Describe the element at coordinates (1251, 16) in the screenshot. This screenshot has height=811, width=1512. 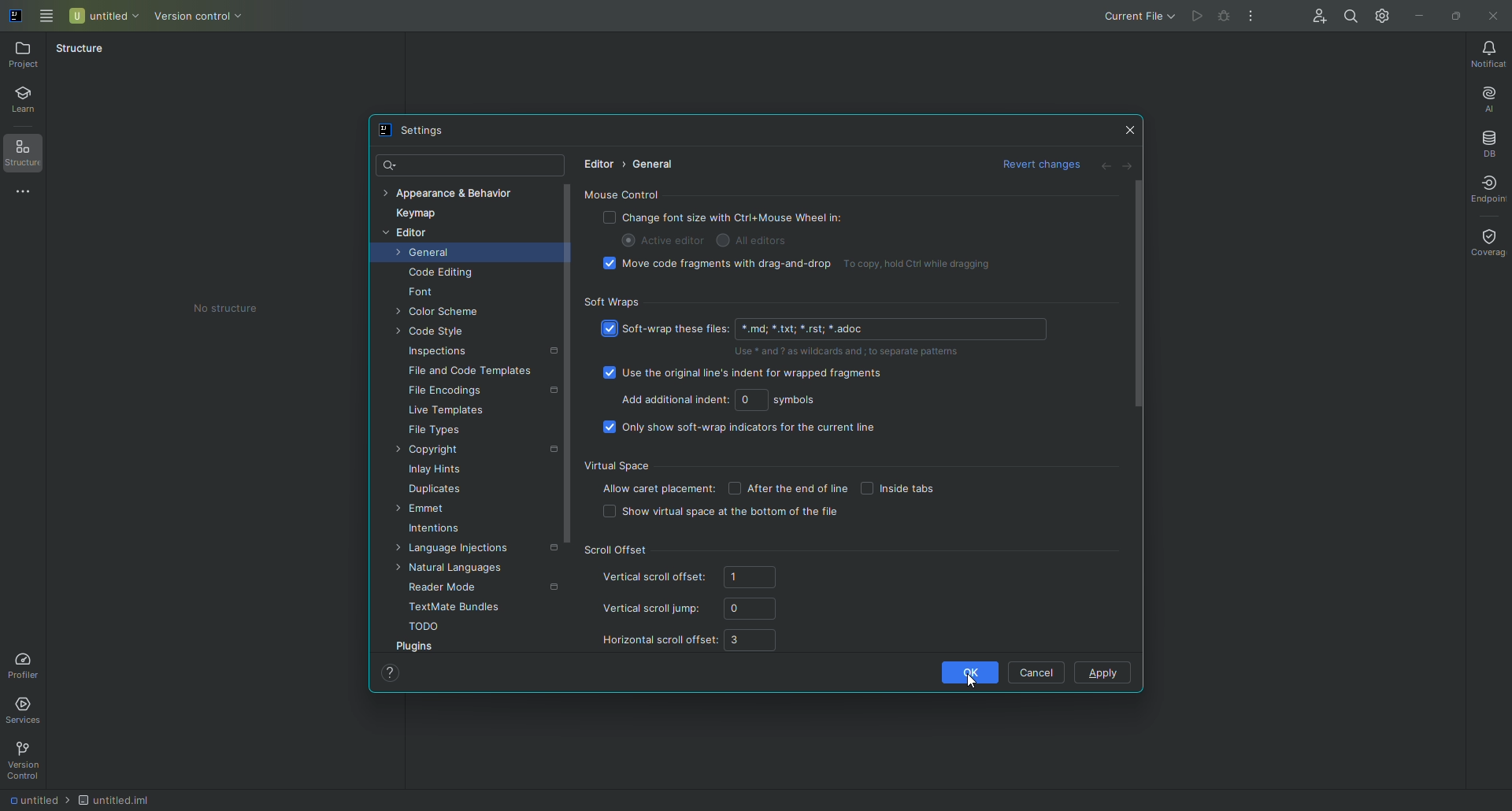
I see `More Actions` at that location.